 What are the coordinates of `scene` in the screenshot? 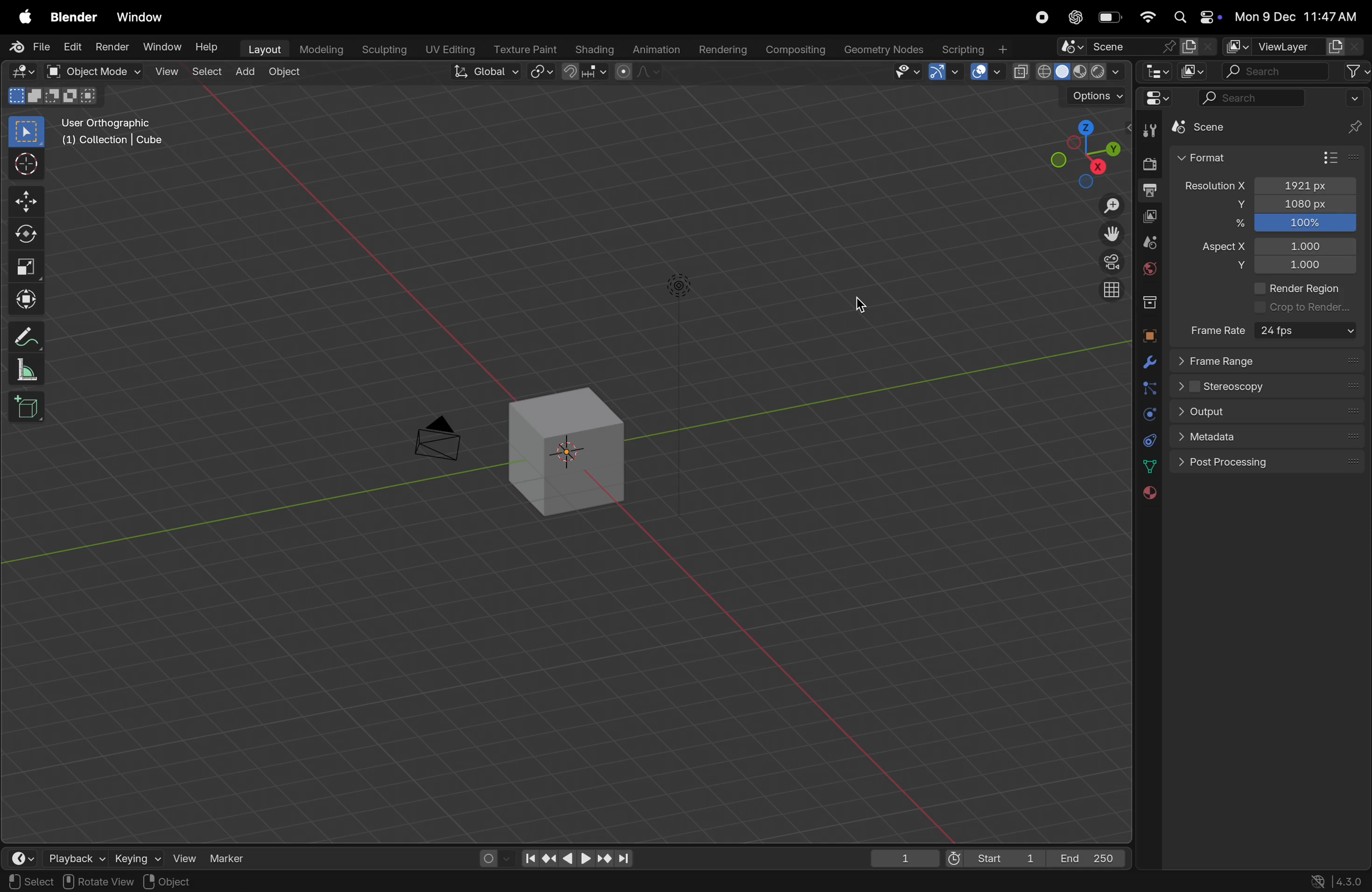 It's located at (1222, 126).